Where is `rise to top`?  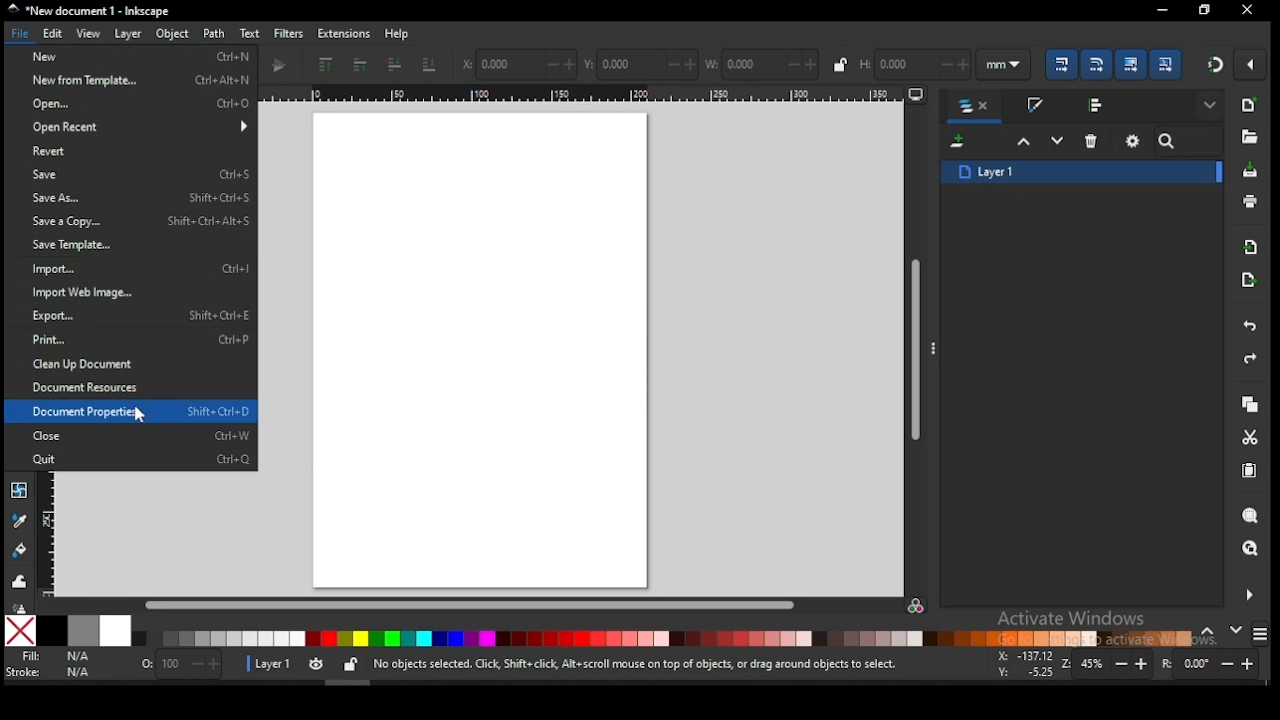 rise to top is located at coordinates (324, 65).